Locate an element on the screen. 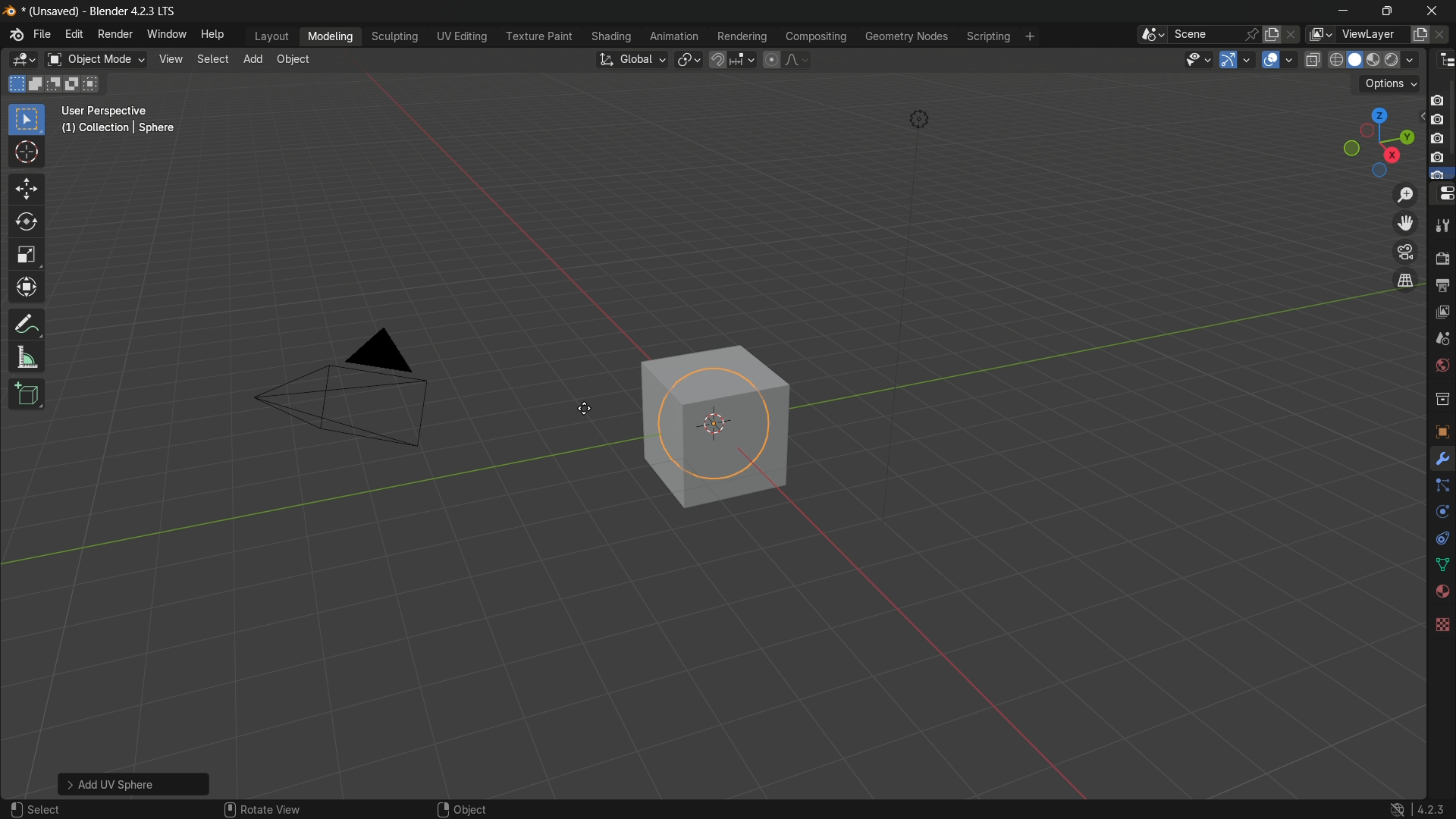 The width and height of the screenshot is (1456, 819). texture paint menu is located at coordinates (538, 38).